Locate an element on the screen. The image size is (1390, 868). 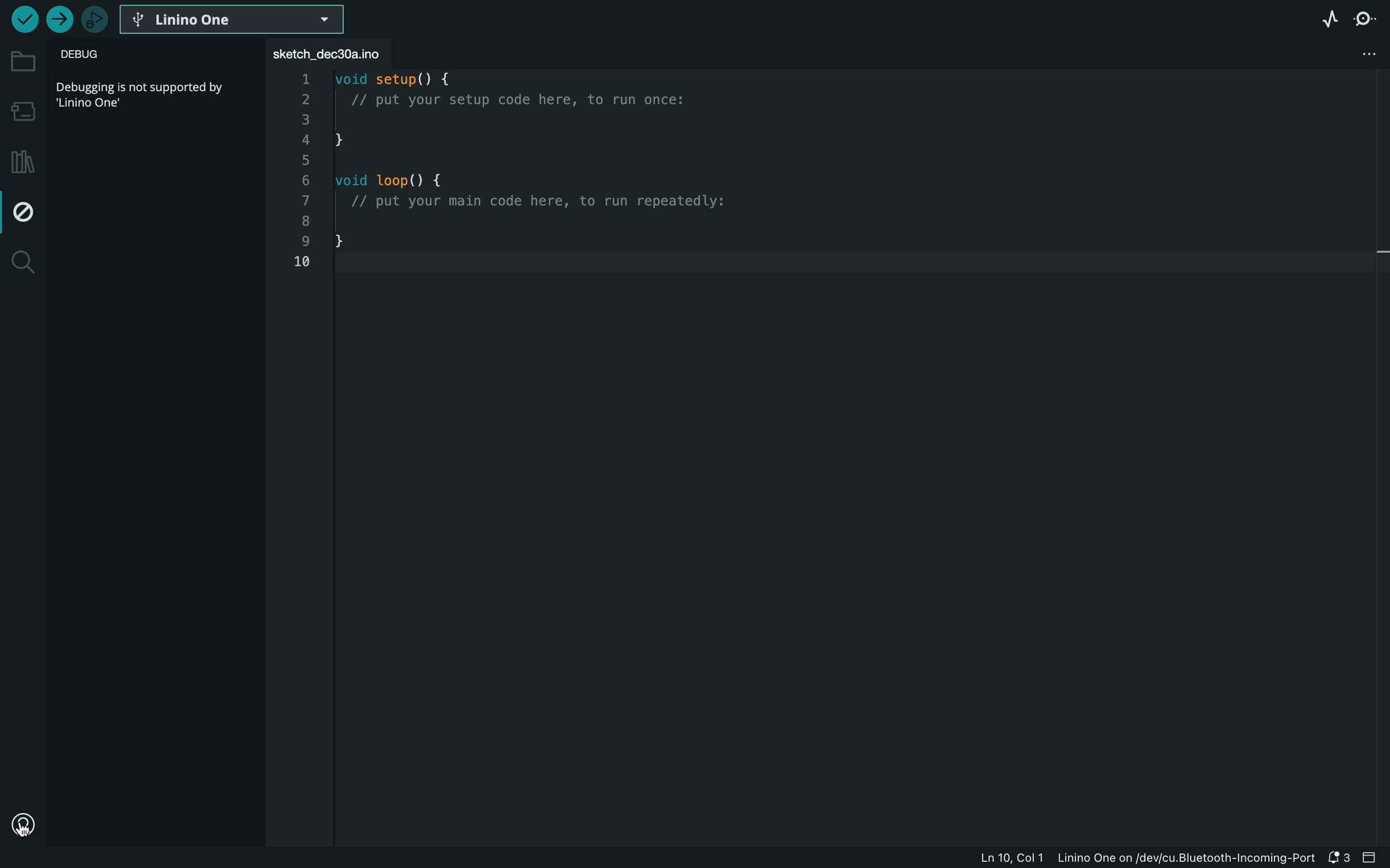
file information is located at coordinates (1148, 859).